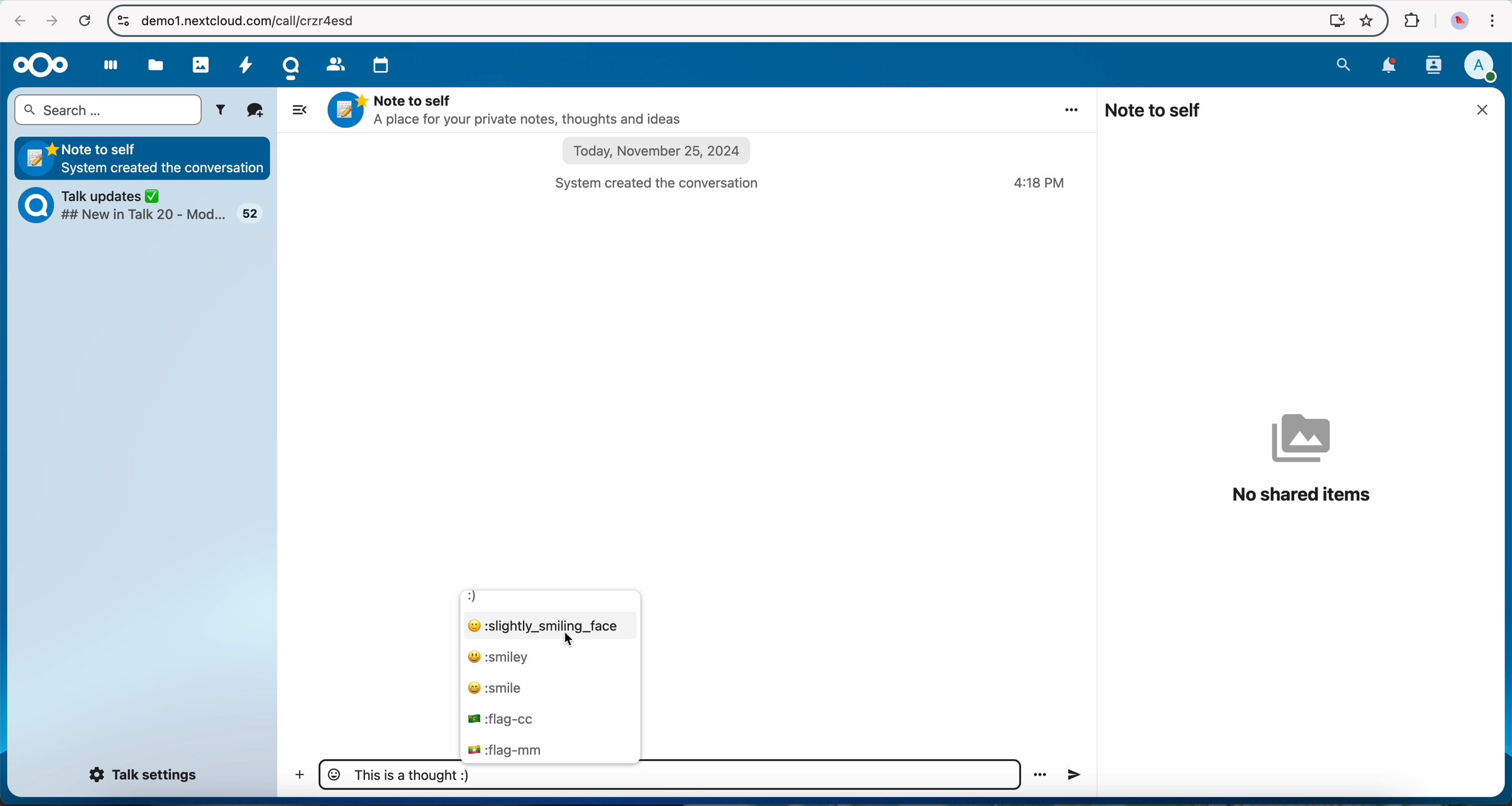  What do you see at coordinates (1344, 65) in the screenshot?
I see `search` at bounding box center [1344, 65].